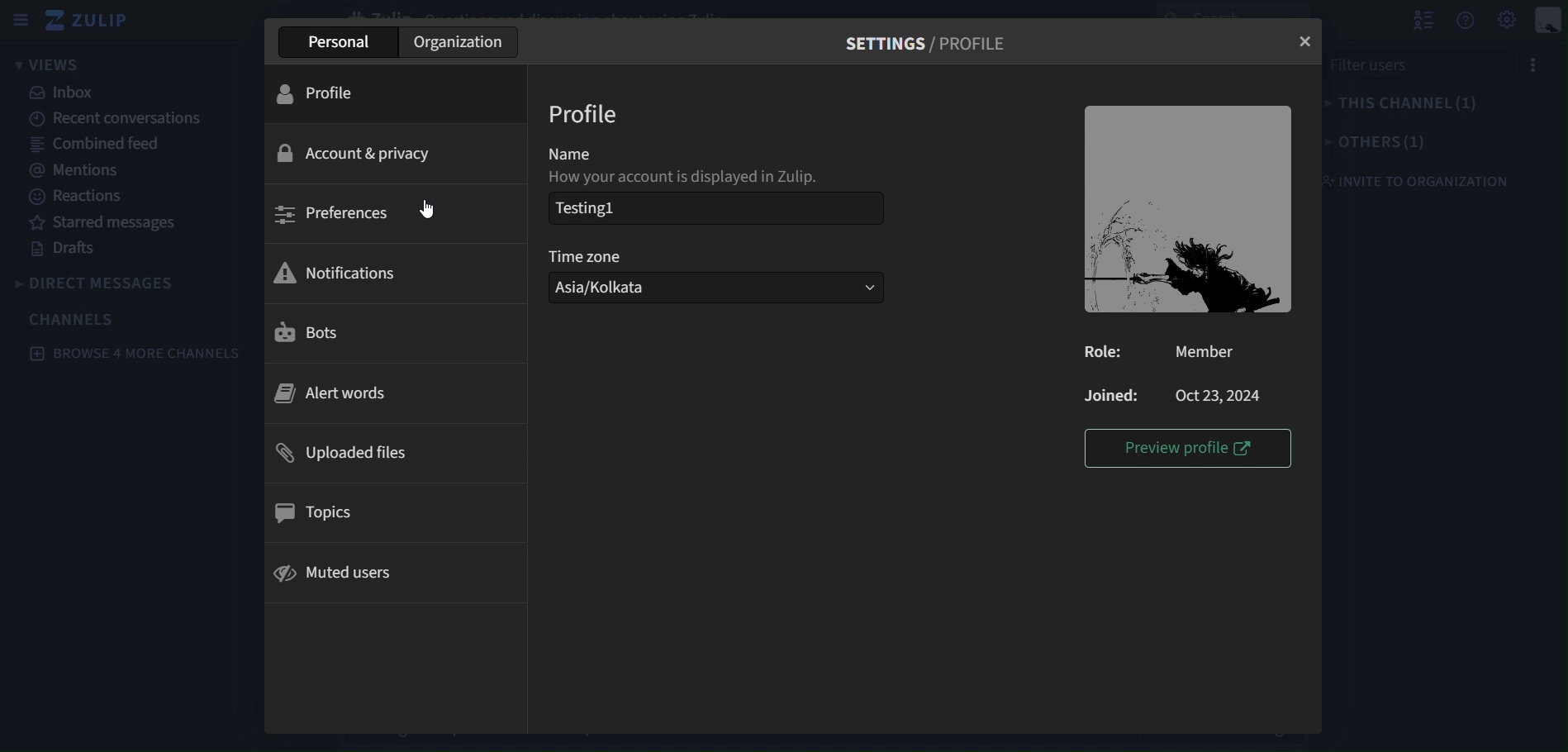 The image size is (1568, 752). What do you see at coordinates (389, 394) in the screenshot?
I see `alert words` at bounding box center [389, 394].